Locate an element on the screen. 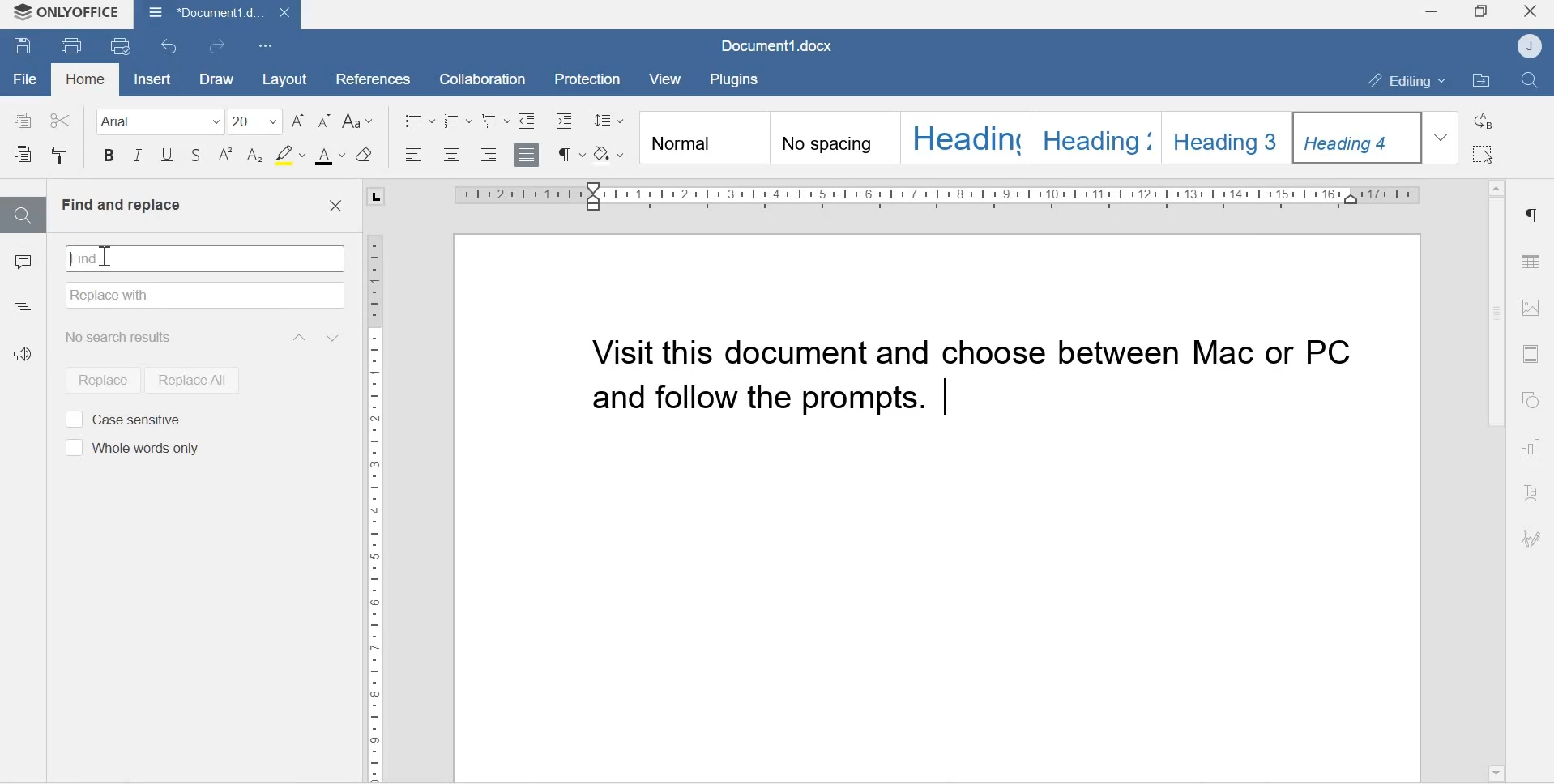 The width and height of the screenshot is (1554, 784). Align right is located at coordinates (489, 155).